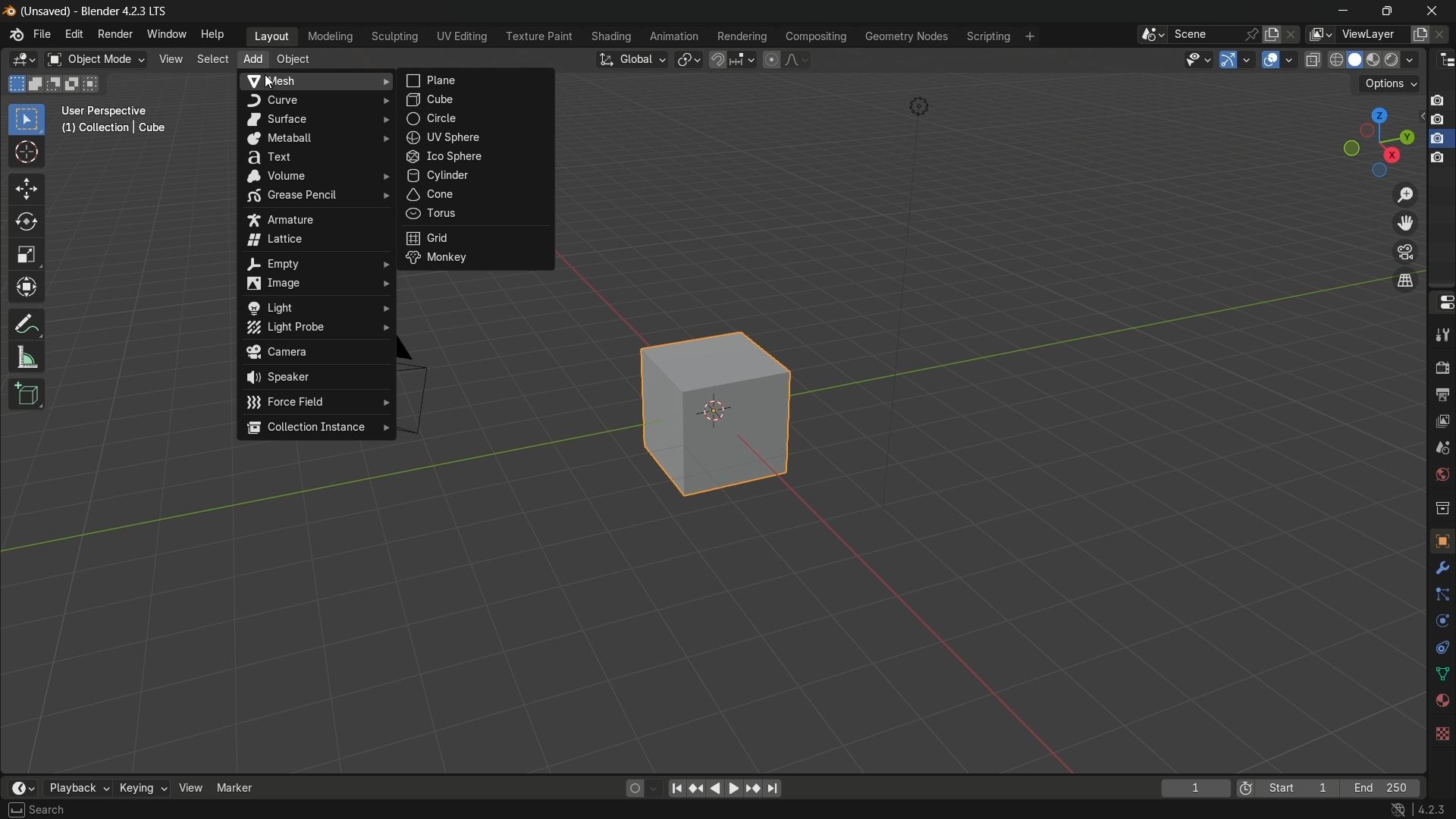 The width and height of the screenshot is (1456, 819). Describe the element at coordinates (27, 223) in the screenshot. I see `rotate` at that location.